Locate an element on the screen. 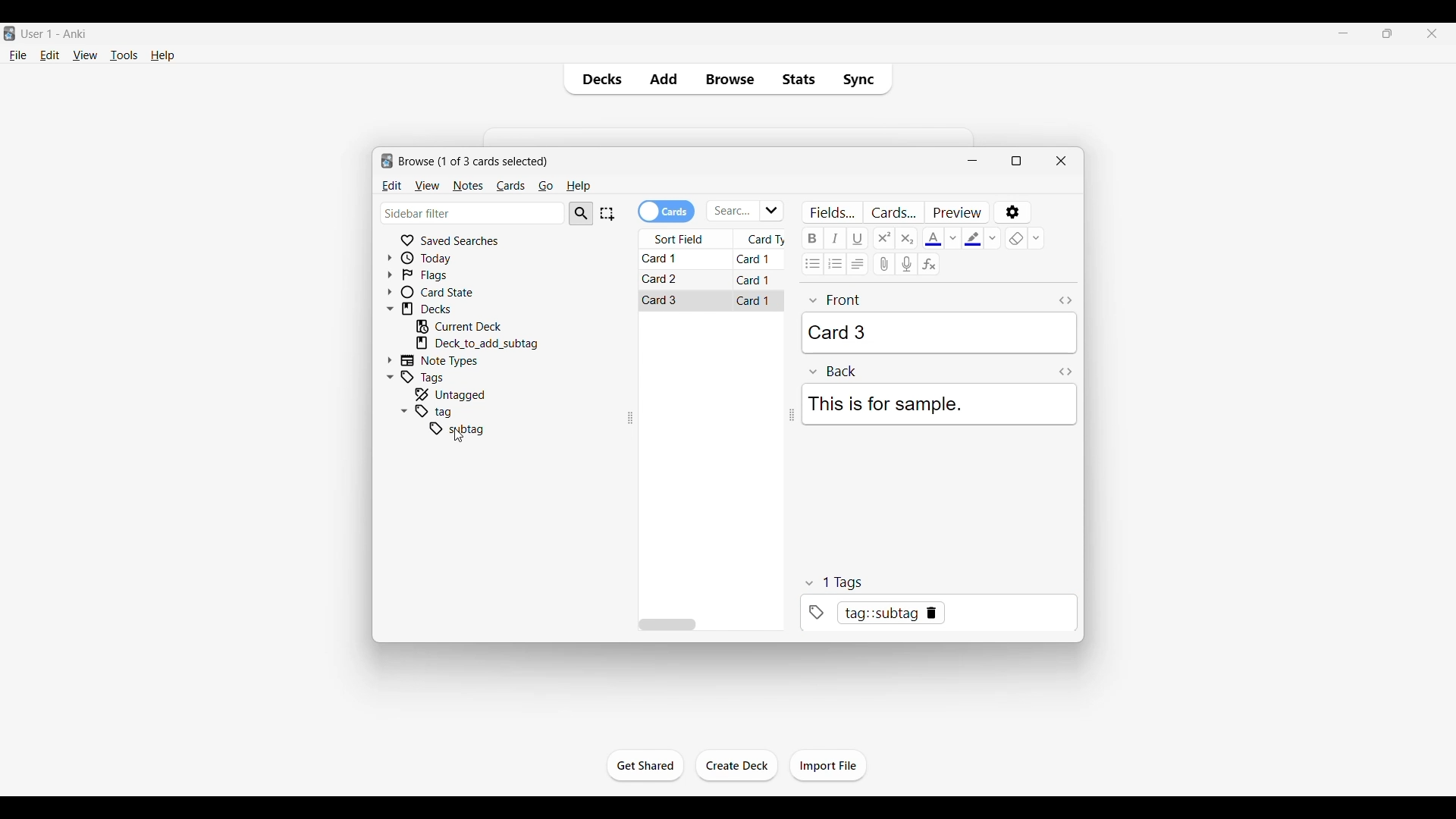 This screenshot has width=1456, height=819. Click to collapse Decks is located at coordinates (390, 309).